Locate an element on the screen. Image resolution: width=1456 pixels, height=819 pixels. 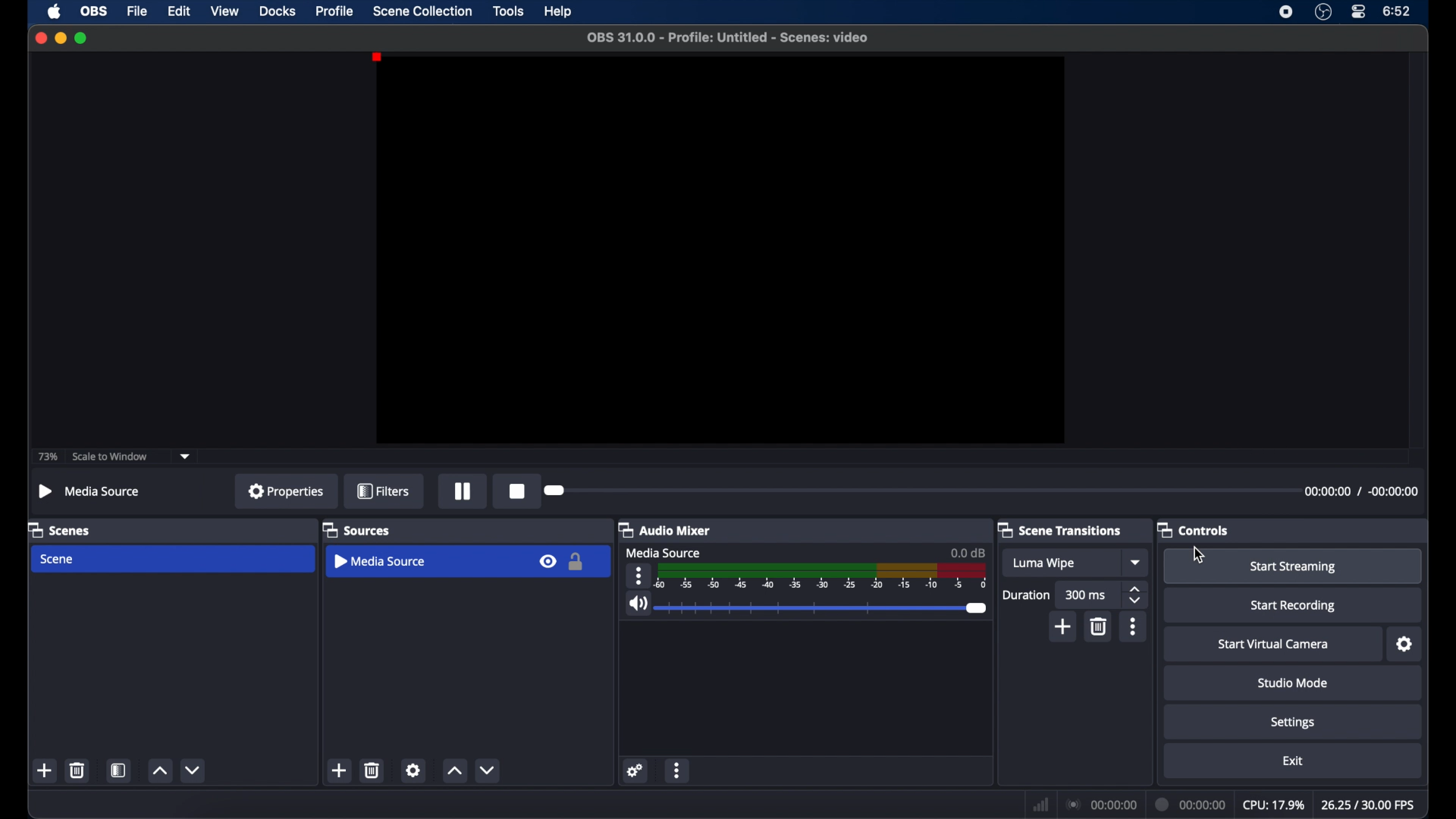
preview is located at coordinates (720, 249).